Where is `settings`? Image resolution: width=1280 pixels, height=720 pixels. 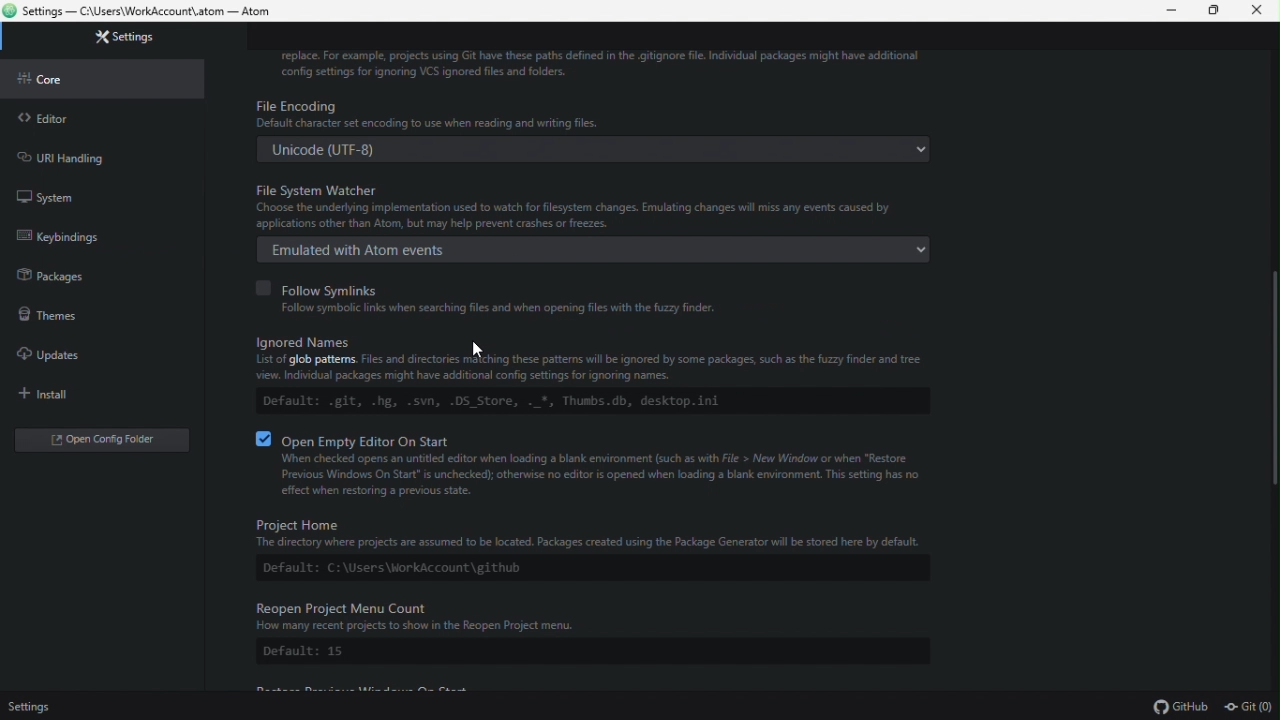
settings is located at coordinates (110, 40).